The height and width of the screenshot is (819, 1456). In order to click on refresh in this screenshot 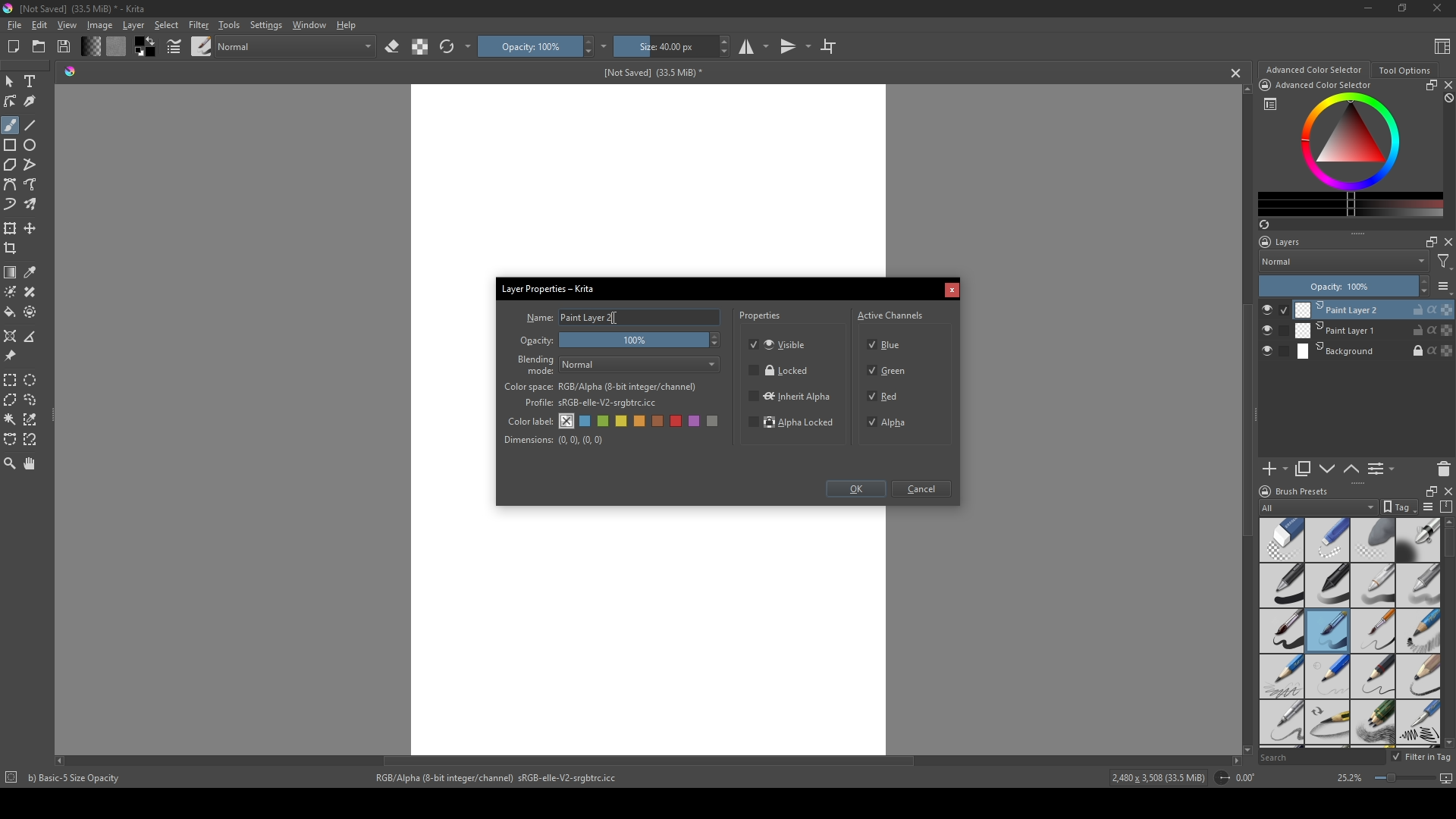, I will do `click(1263, 224)`.